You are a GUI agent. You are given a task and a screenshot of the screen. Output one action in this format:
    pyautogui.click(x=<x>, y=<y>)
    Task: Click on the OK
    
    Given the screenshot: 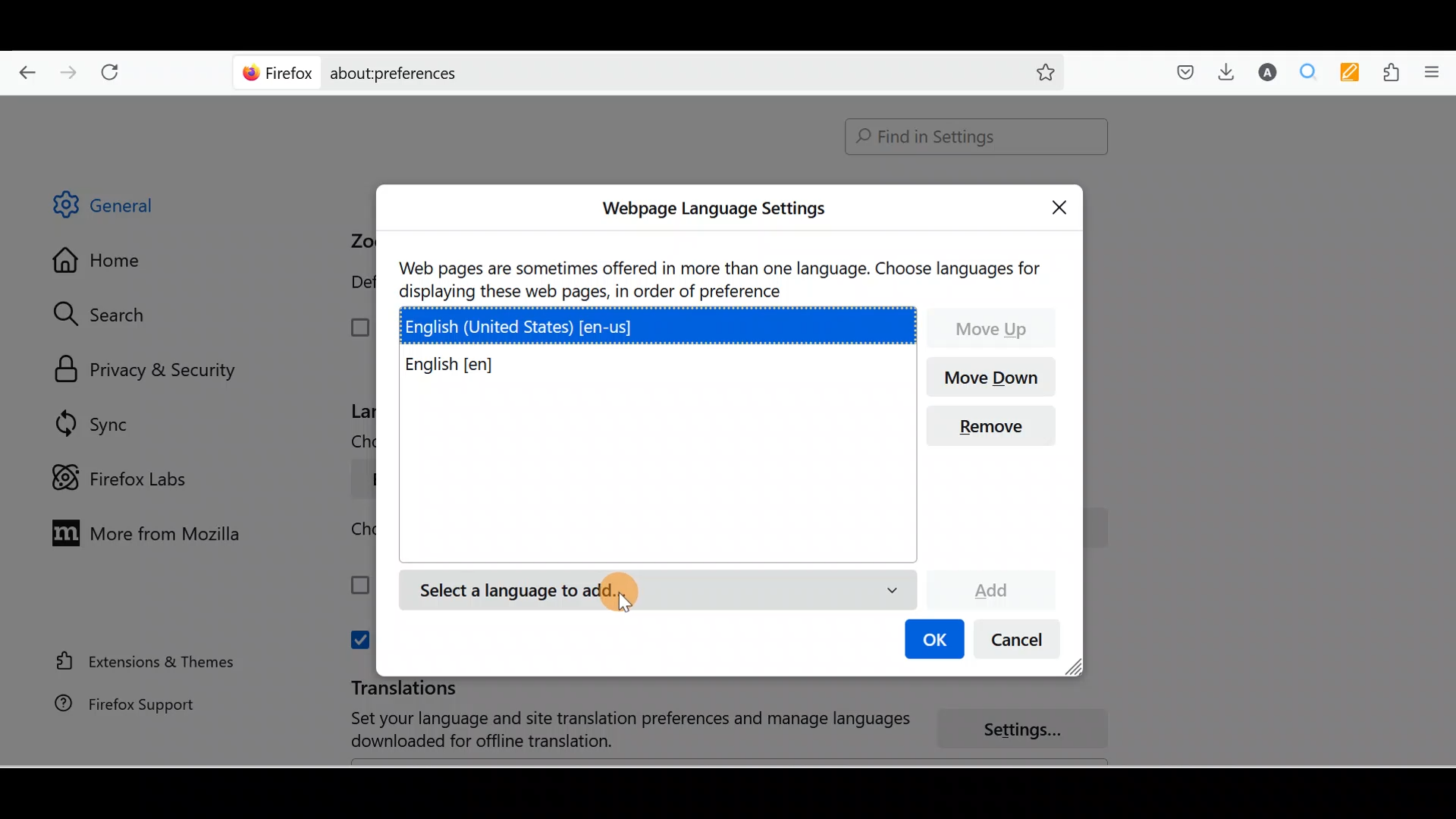 What is the action you would take?
    pyautogui.click(x=932, y=641)
    